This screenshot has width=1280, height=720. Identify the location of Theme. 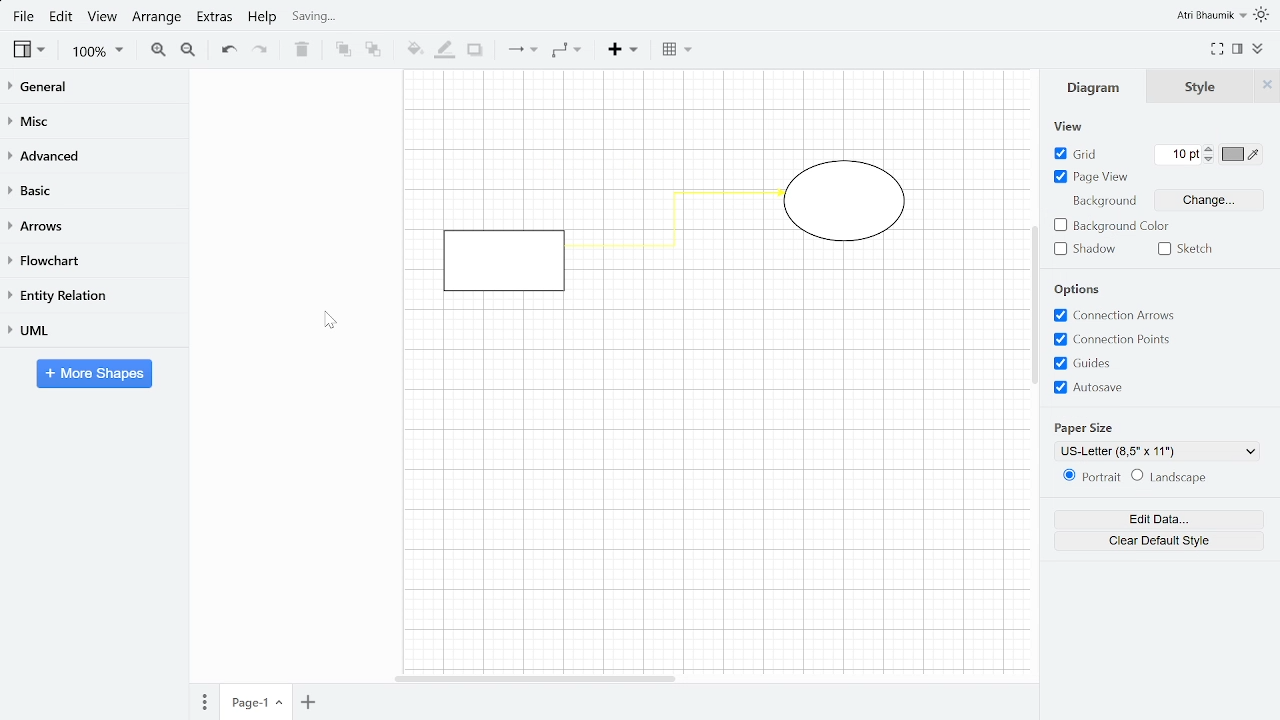
(1264, 14).